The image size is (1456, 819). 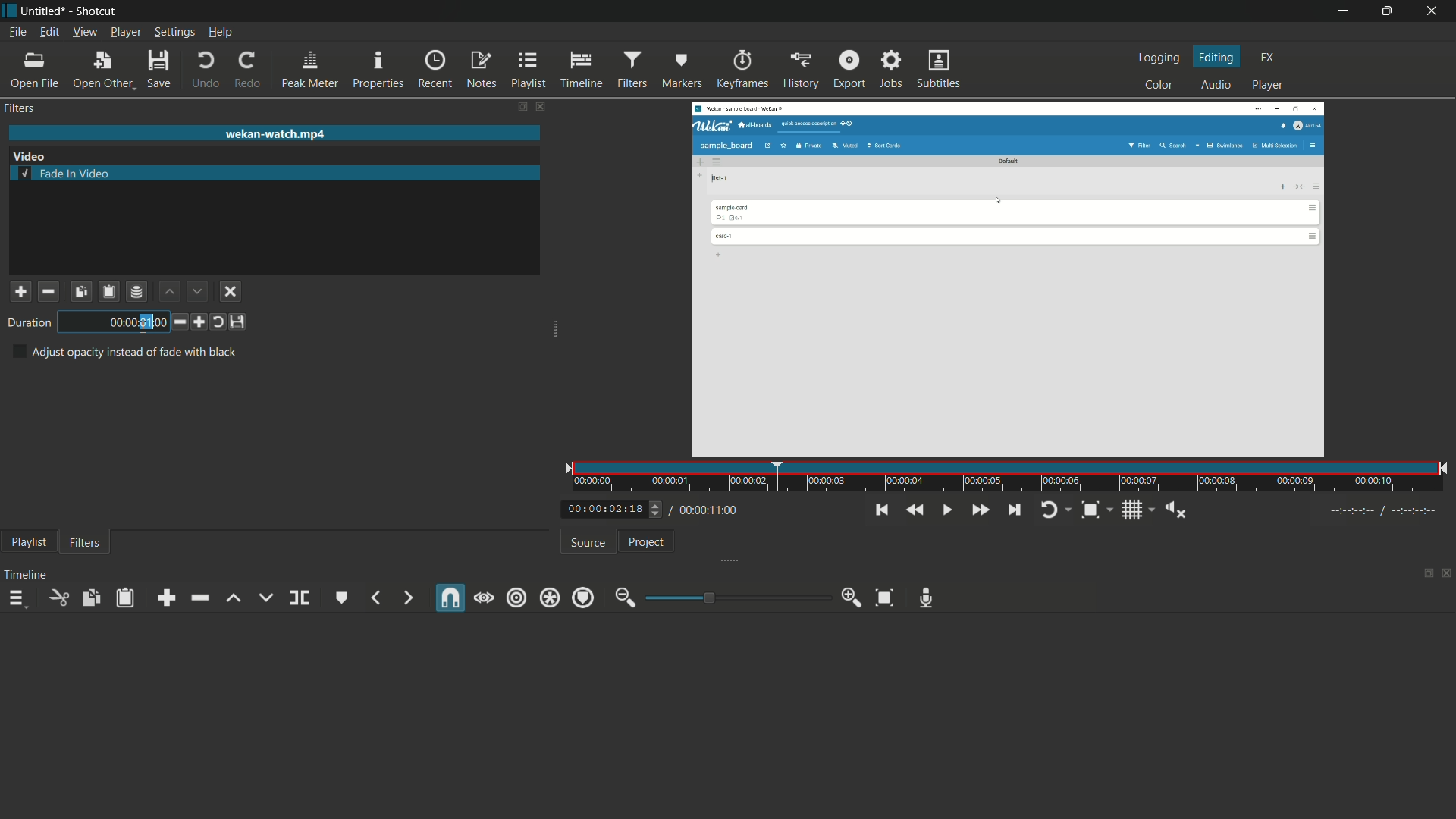 What do you see at coordinates (1177, 511) in the screenshot?
I see `show volume control` at bounding box center [1177, 511].